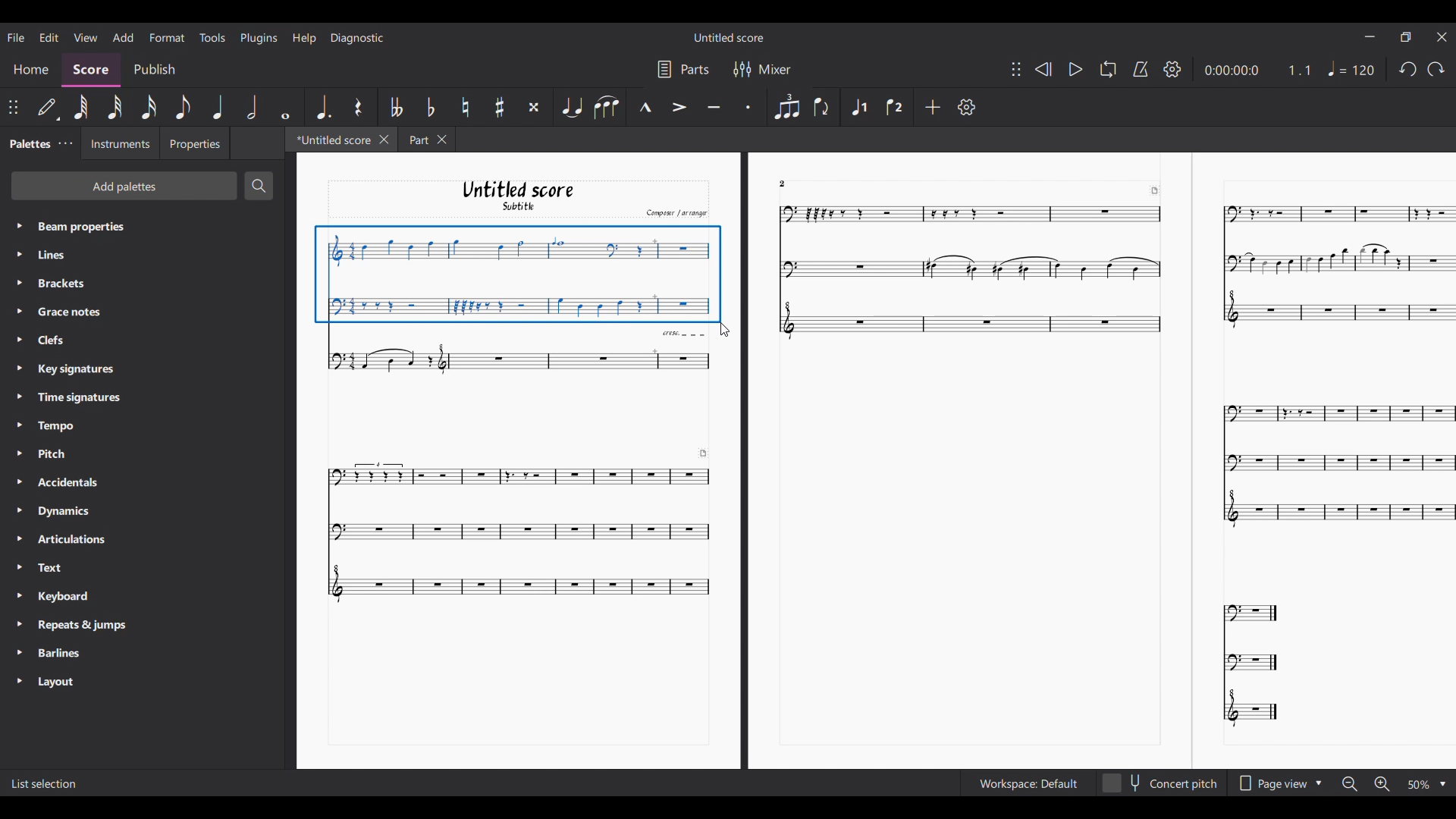 The height and width of the screenshot is (819, 1456). I want to click on Selection made by cursor, so click(517, 272).